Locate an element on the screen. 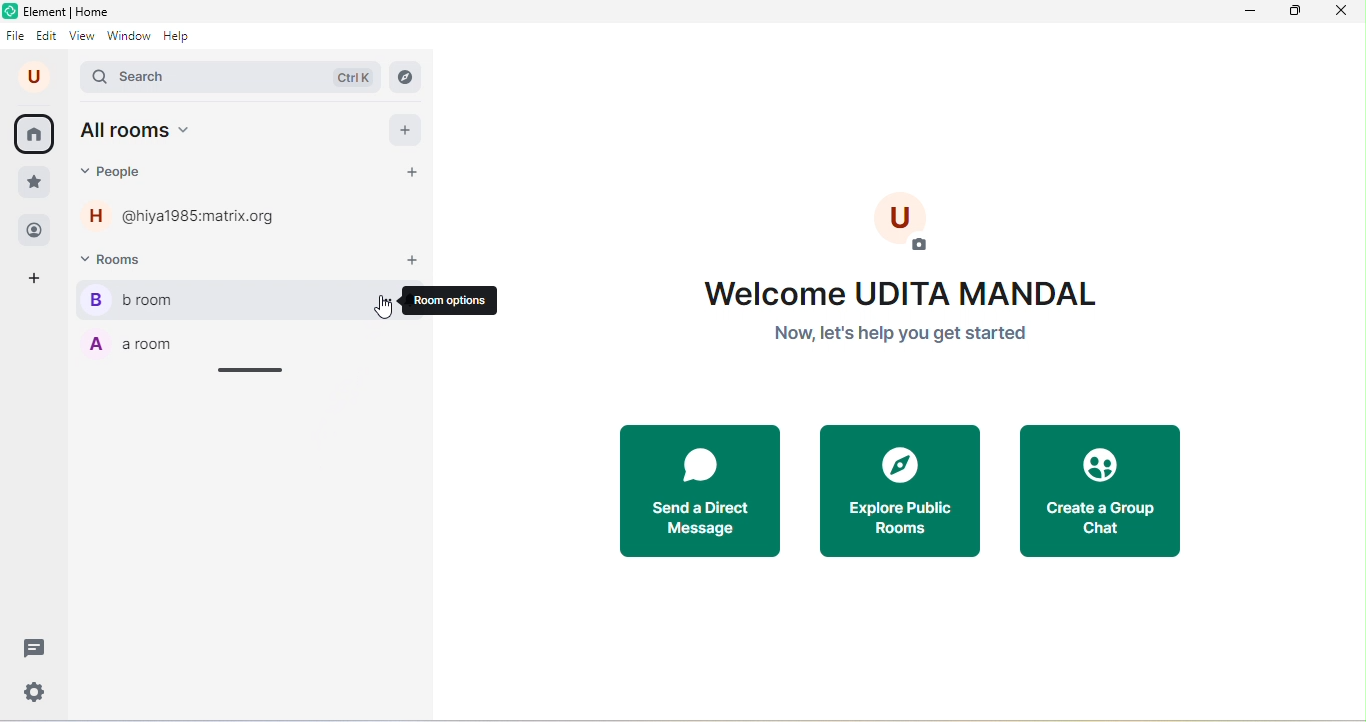 This screenshot has width=1366, height=722. create a chat group is located at coordinates (1100, 491).